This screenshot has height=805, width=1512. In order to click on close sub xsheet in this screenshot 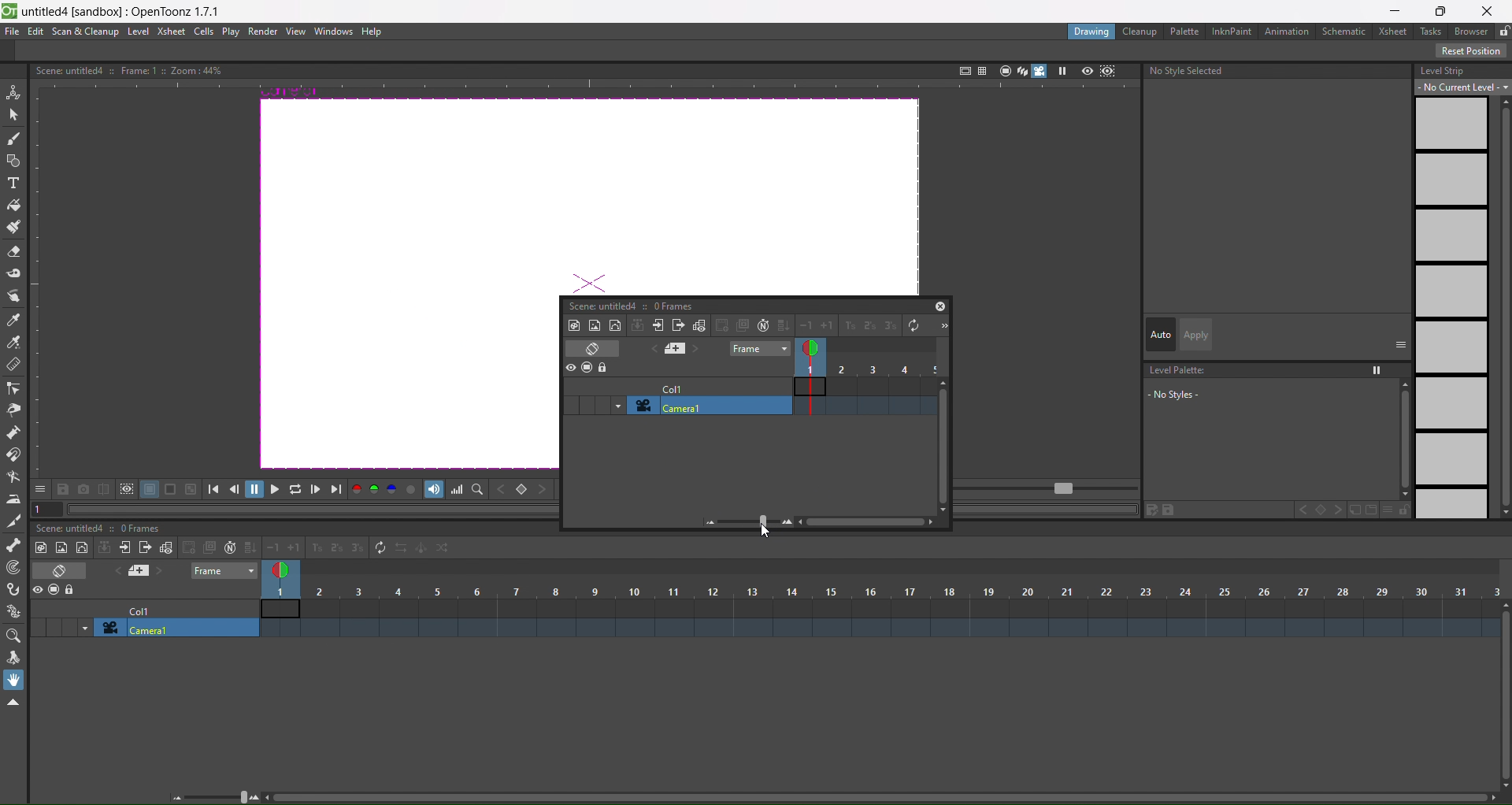, I will do `click(124, 547)`.